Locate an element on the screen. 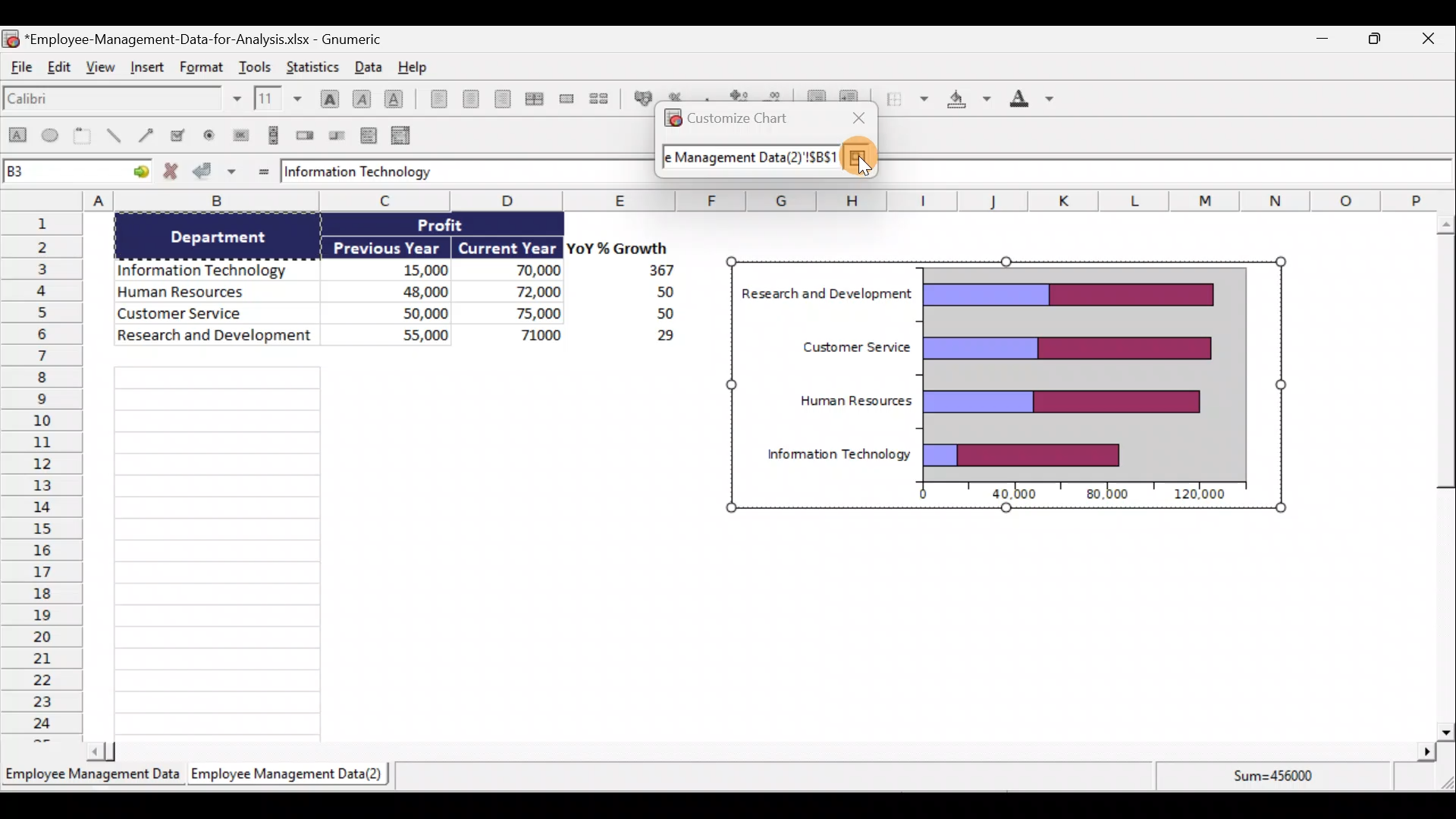  Scroll bar is located at coordinates (1439, 473).